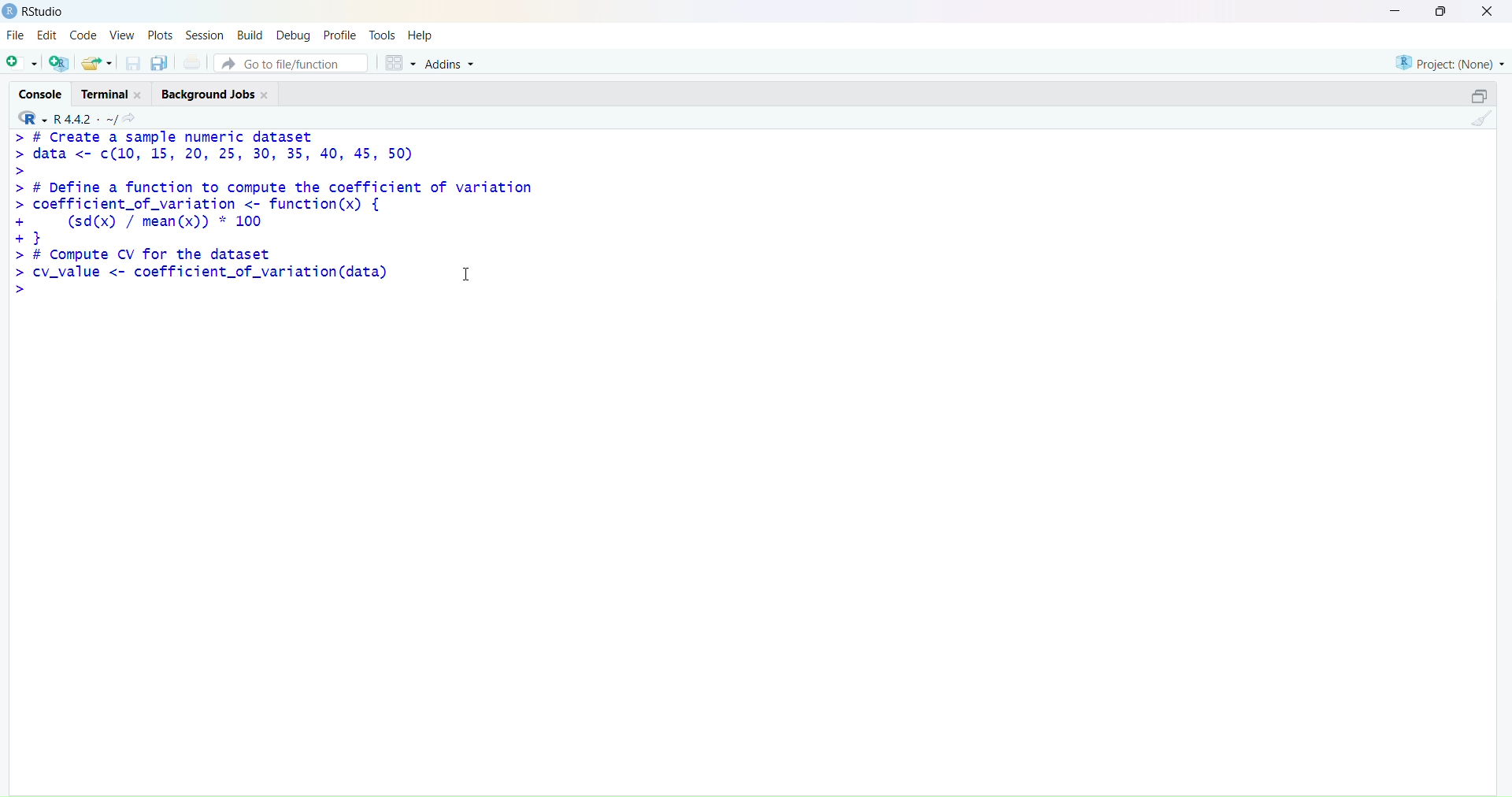 The image size is (1512, 797). Describe the element at coordinates (106, 95) in the screenshot. I see `terminal` at that location.